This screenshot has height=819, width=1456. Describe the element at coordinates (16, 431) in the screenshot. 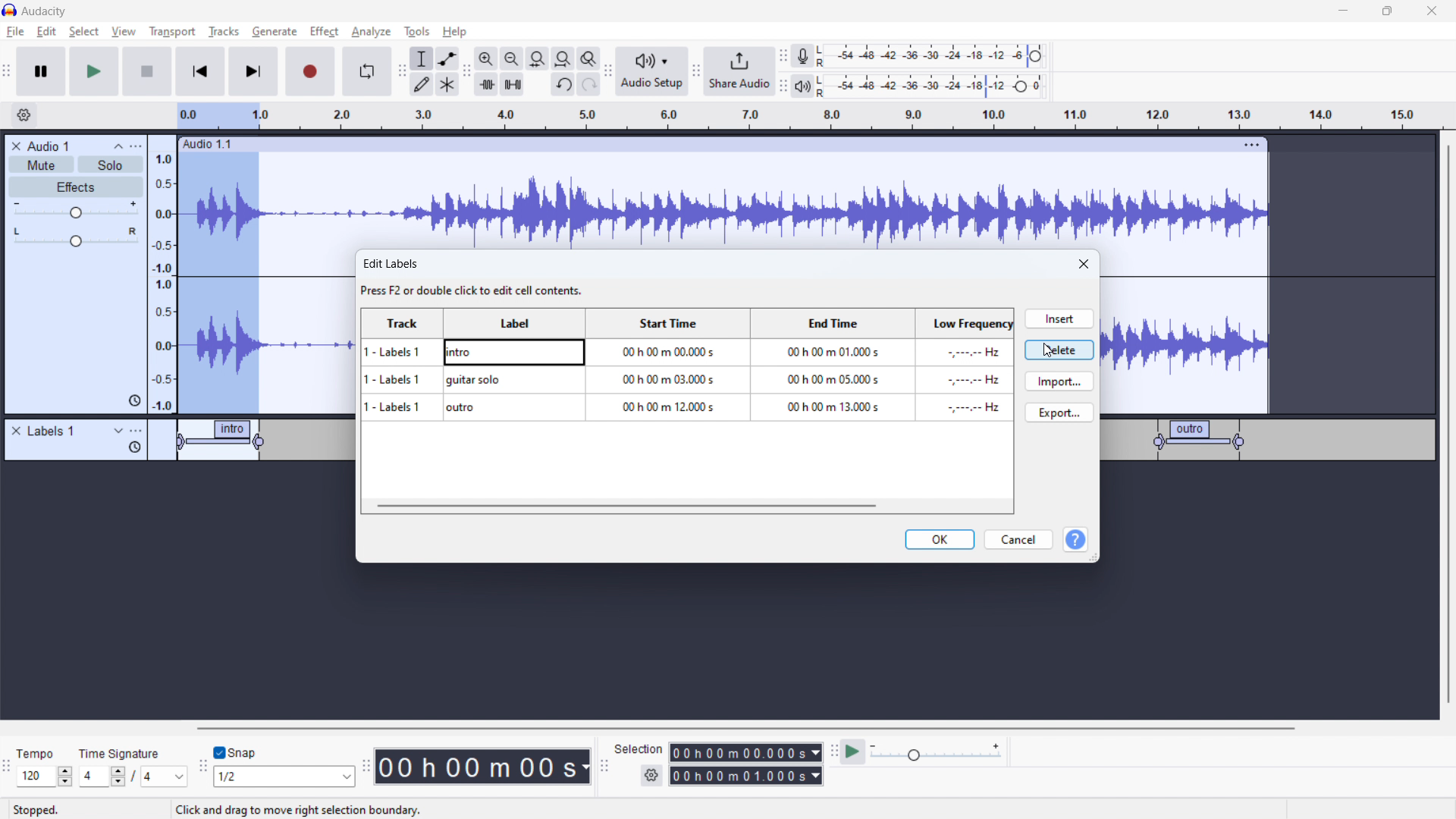

I see `remove` at that location.